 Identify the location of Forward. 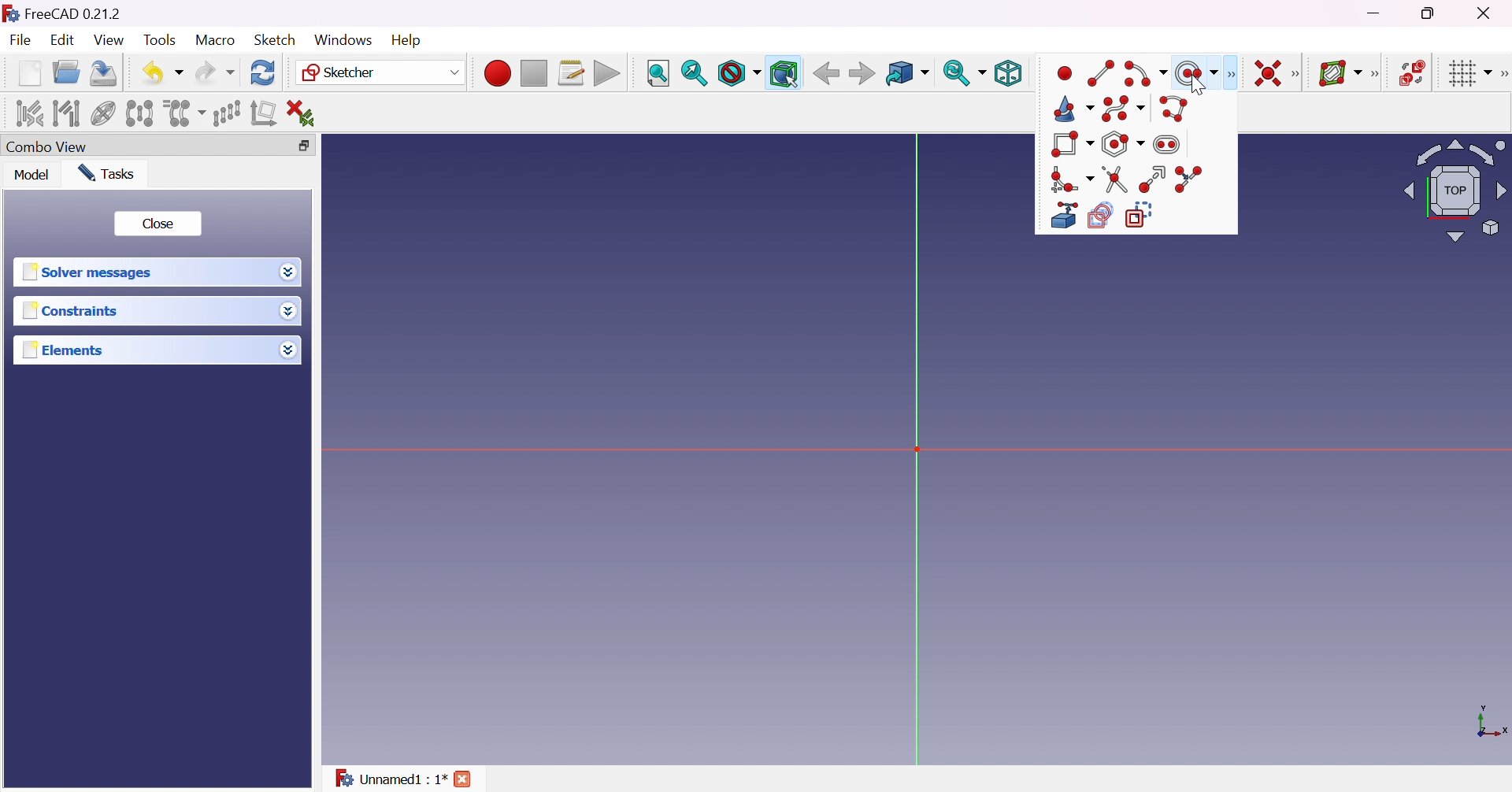
(862, 75).